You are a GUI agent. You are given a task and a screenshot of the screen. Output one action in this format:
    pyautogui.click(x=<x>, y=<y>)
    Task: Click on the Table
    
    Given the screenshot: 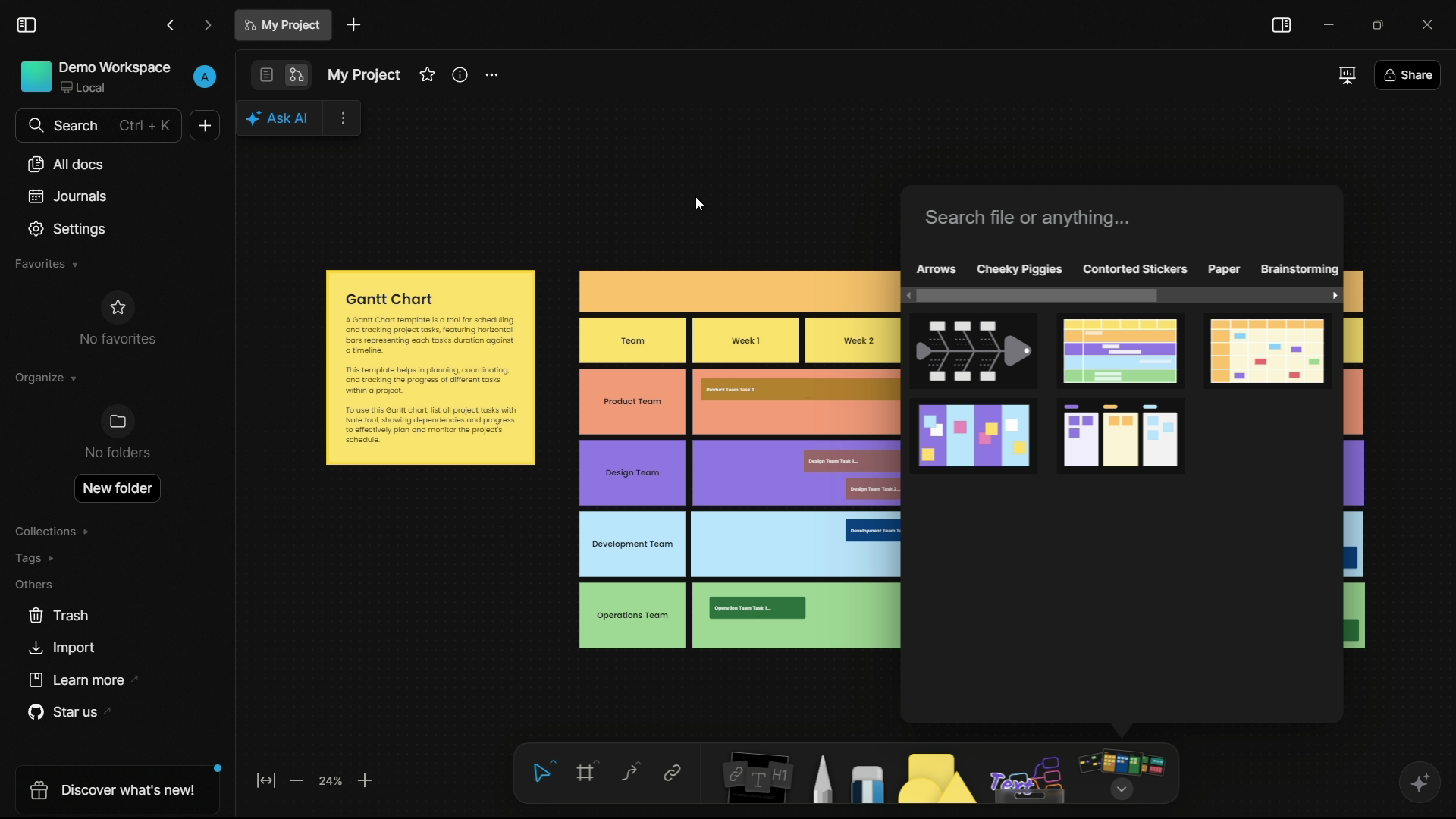 What is the action you would take?
    pyautogui.click(x=736, y=458)
    